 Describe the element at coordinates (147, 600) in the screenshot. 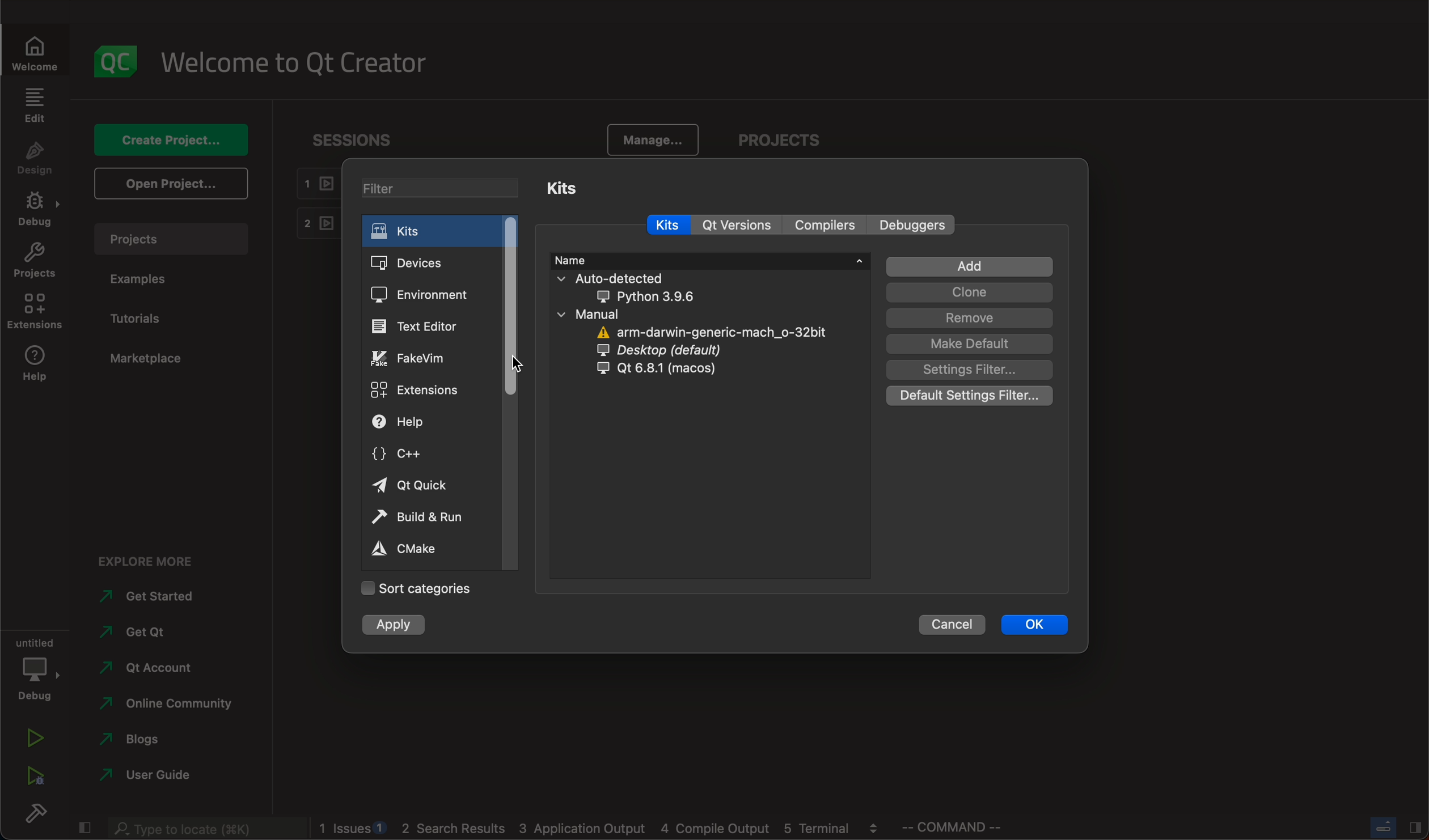

I see `started` at that location.